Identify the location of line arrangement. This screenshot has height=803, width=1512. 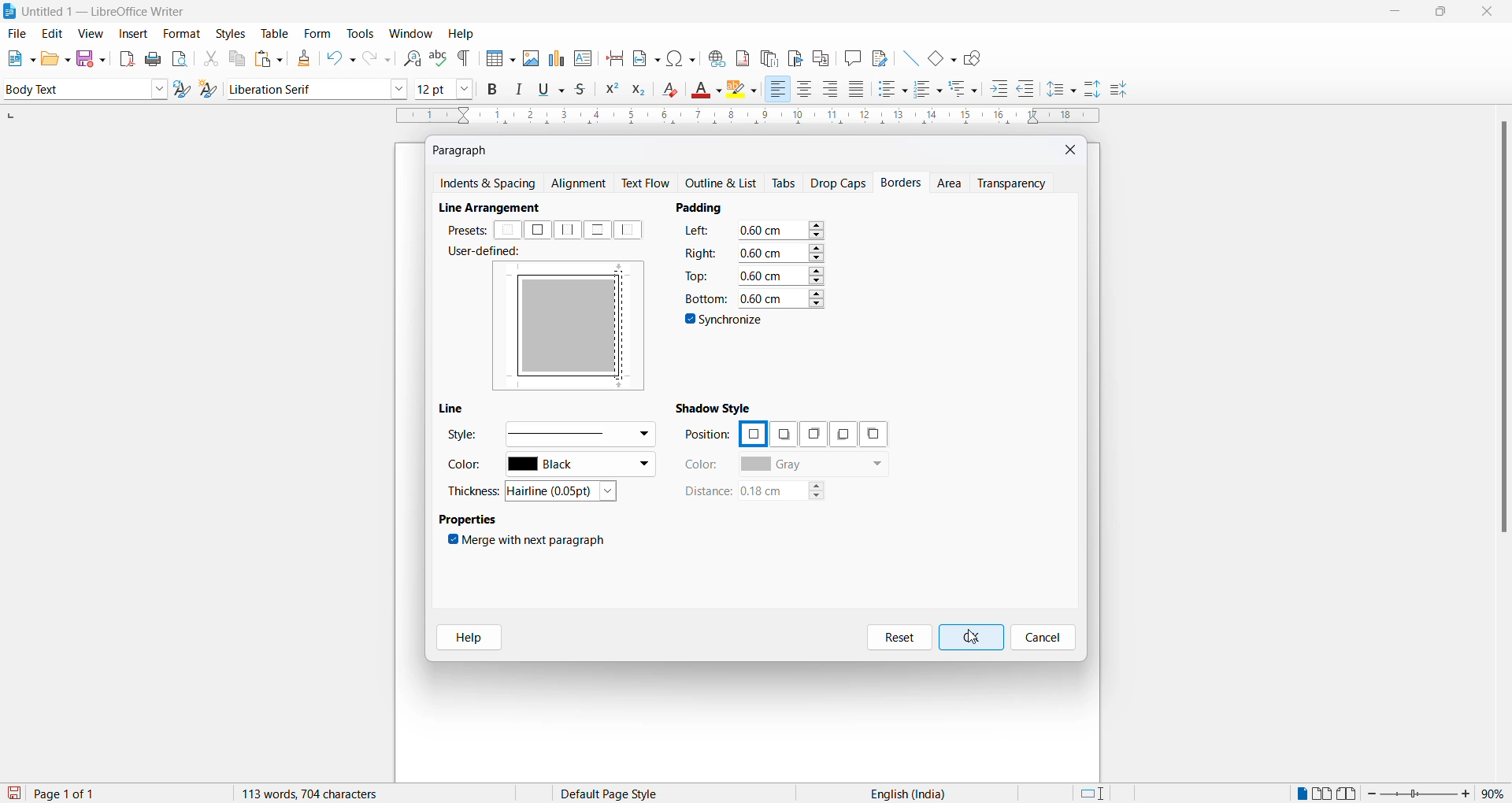
(498, 208).